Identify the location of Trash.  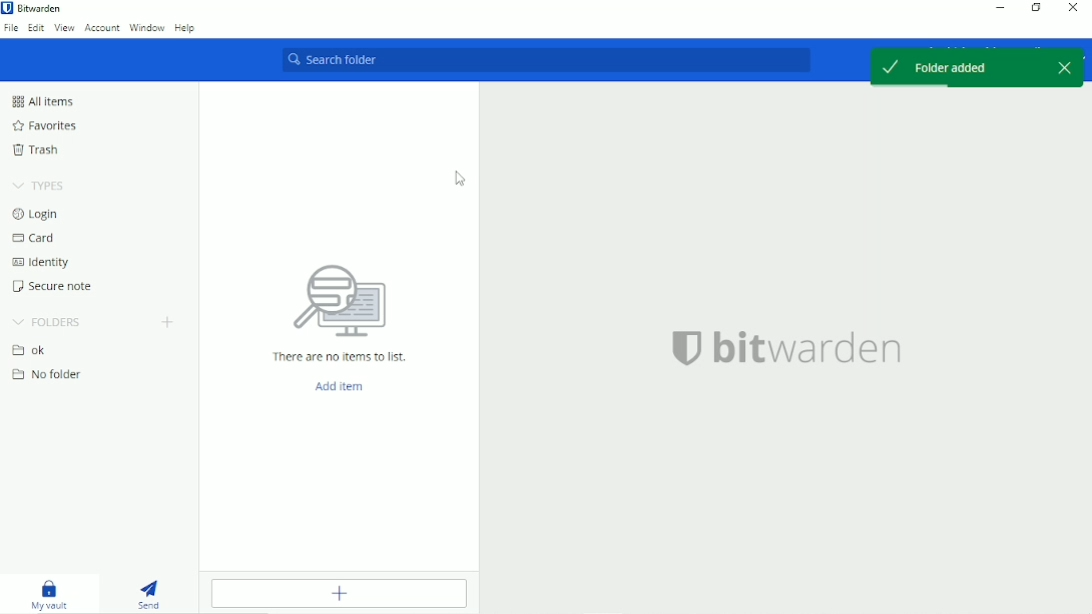
(36, 150).